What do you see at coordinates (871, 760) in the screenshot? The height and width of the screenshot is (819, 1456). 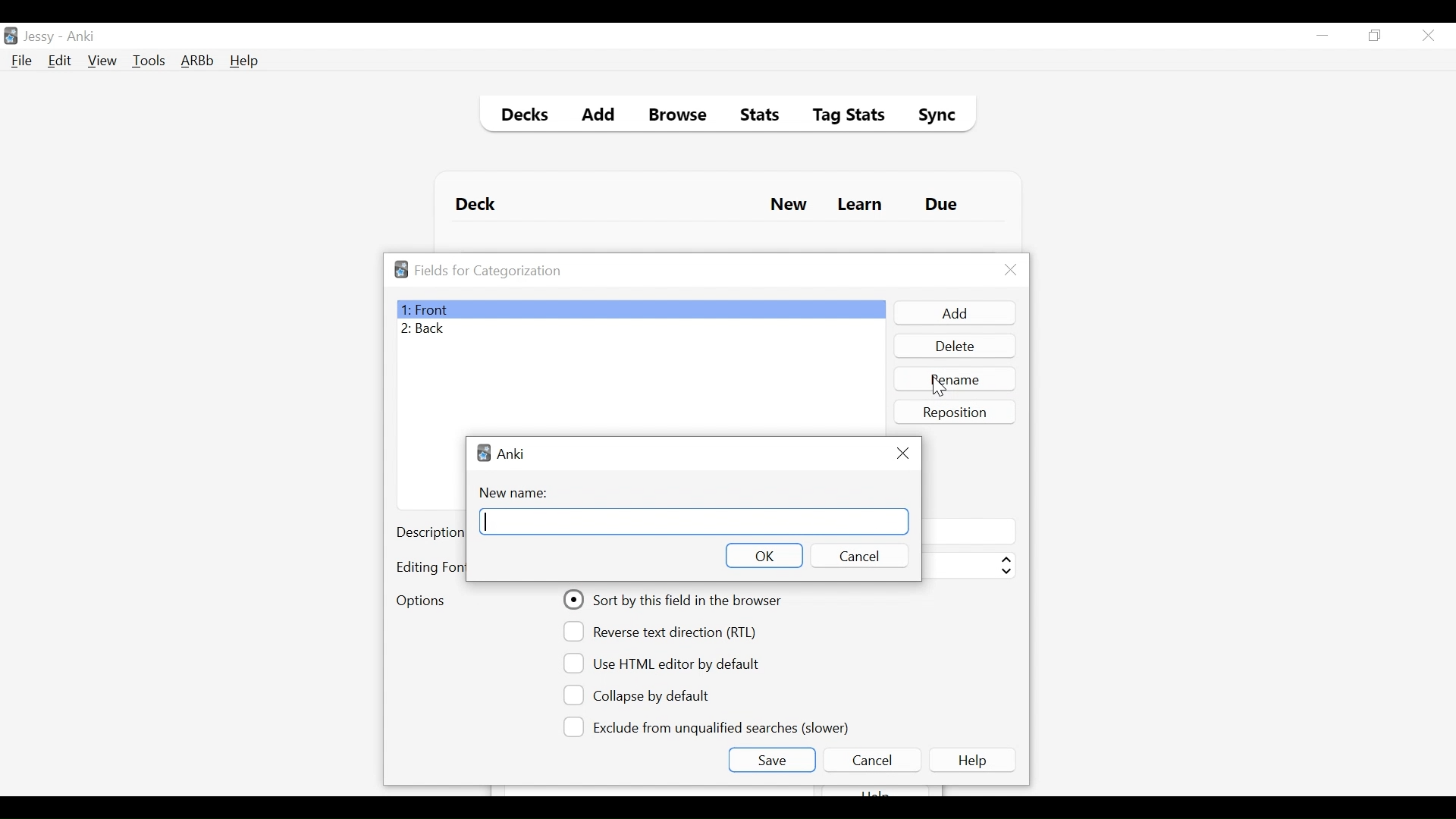 I see `Cancel` at bounding box center [871, 760].